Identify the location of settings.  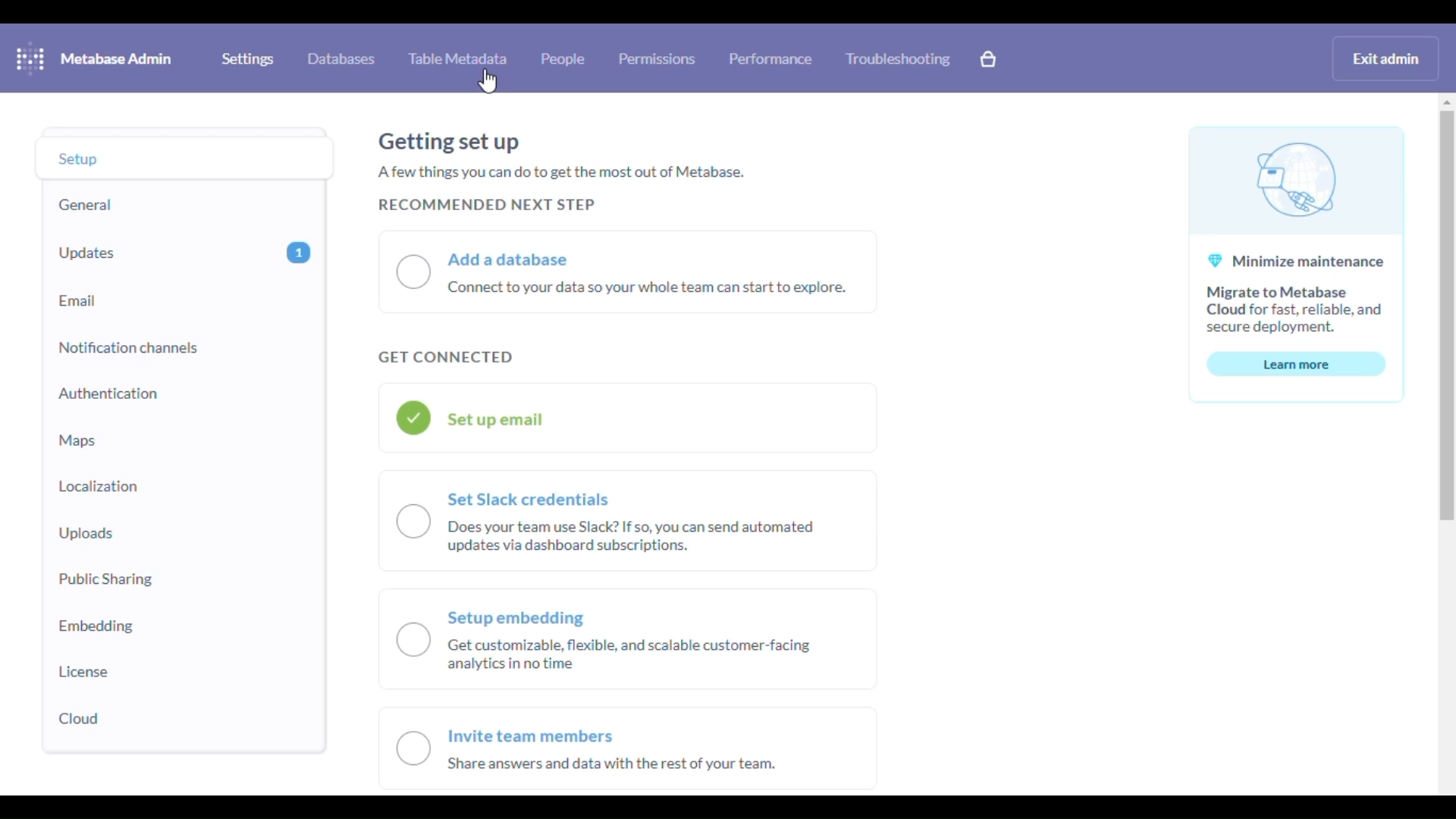
(247, 59).